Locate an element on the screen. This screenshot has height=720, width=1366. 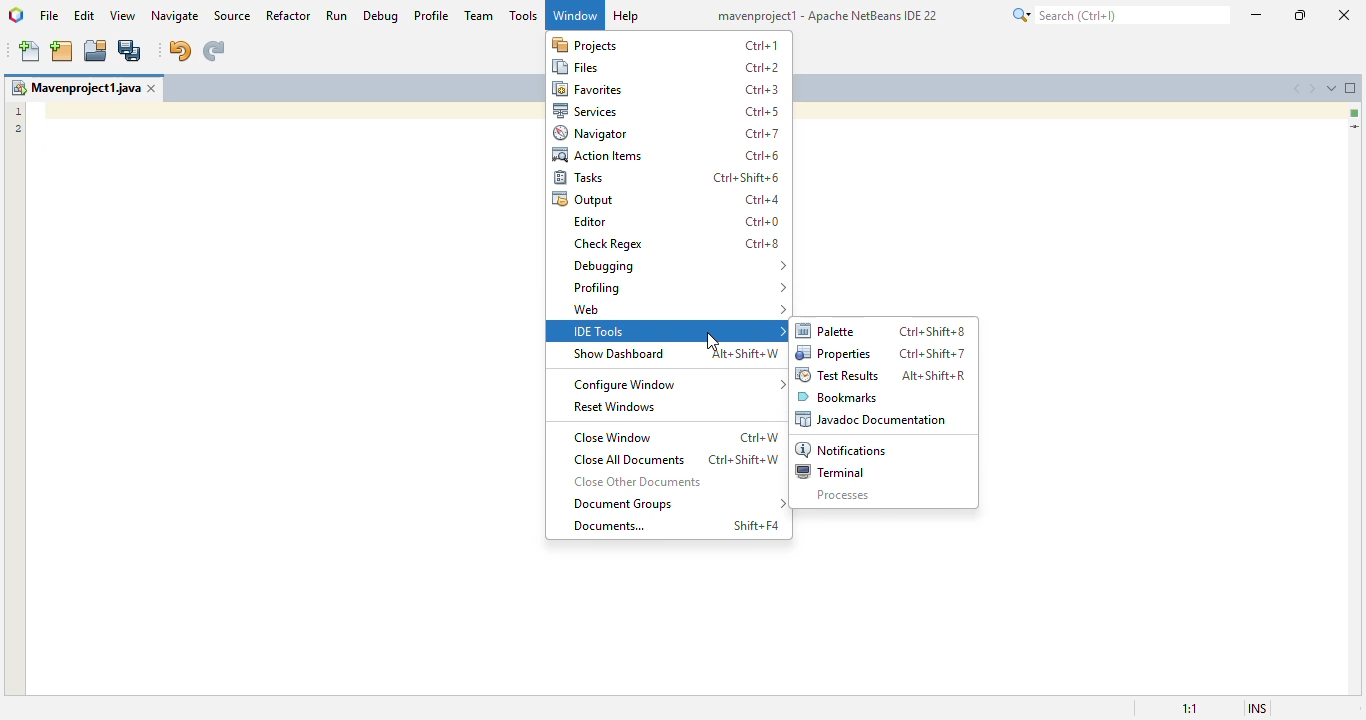
files is located at coordinates (580, 67).